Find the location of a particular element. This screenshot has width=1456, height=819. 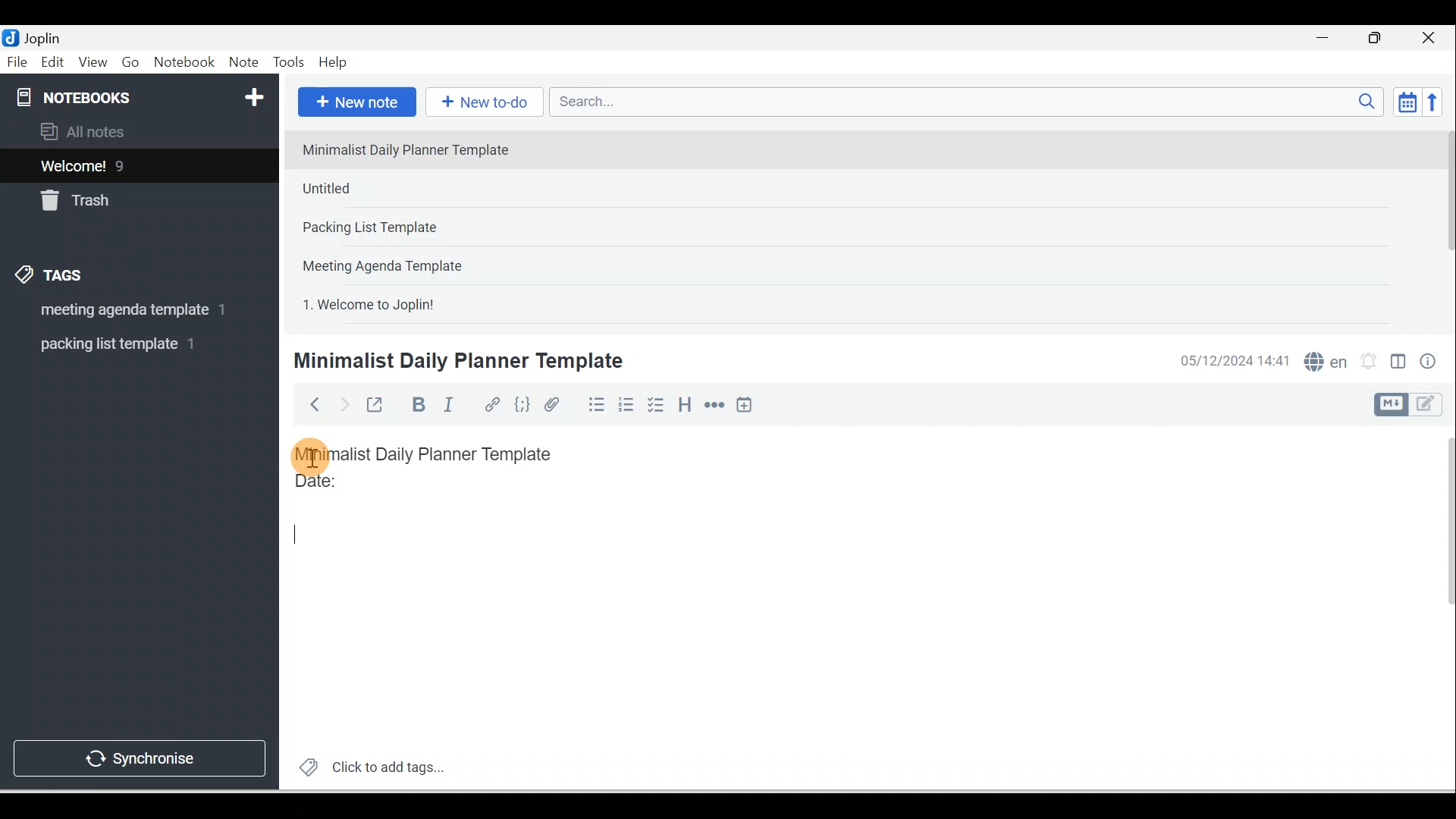

Toggle sort order is located at coordinates (1407, 101).